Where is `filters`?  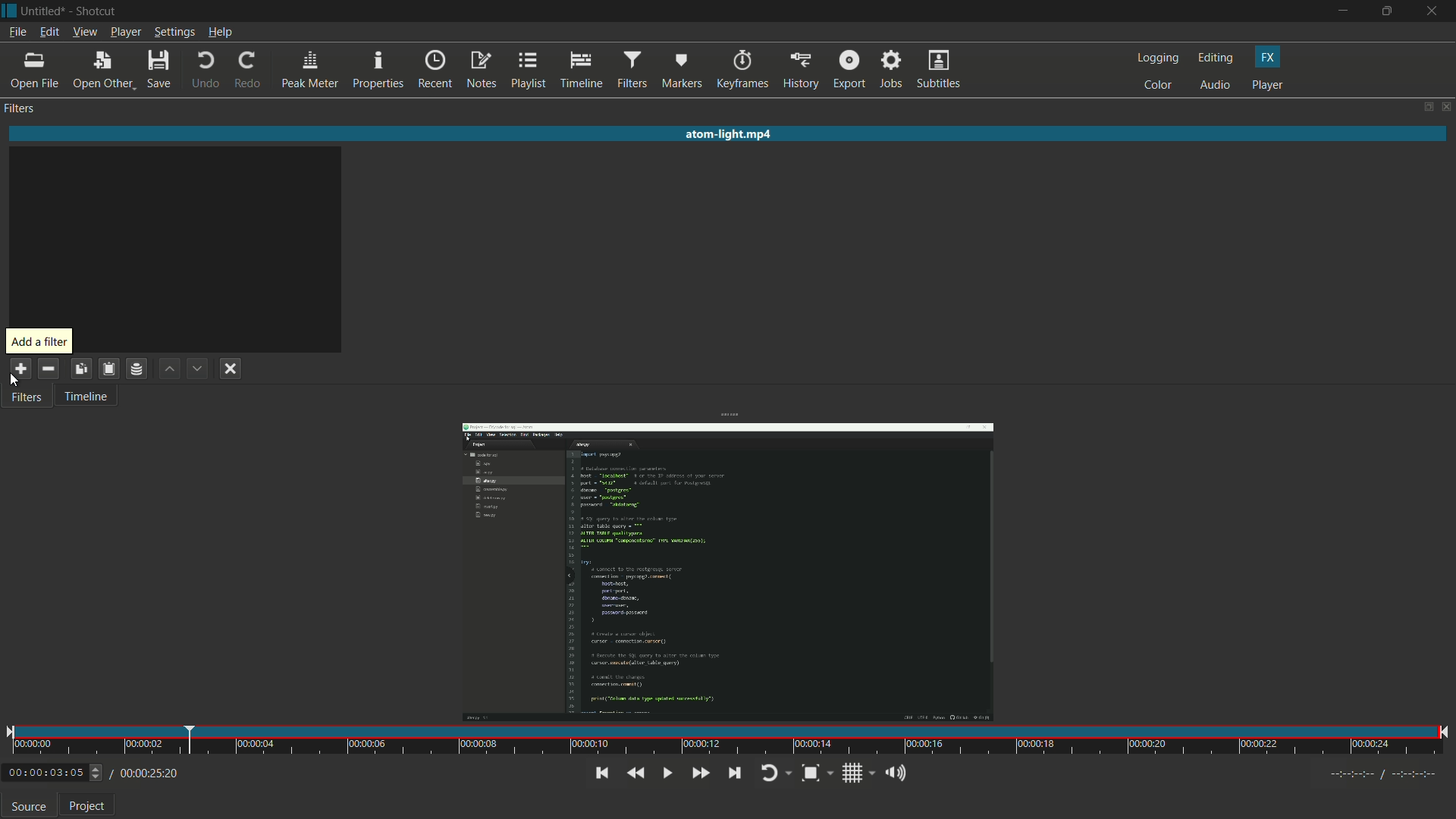
filters is located at coordinates (29, 399).